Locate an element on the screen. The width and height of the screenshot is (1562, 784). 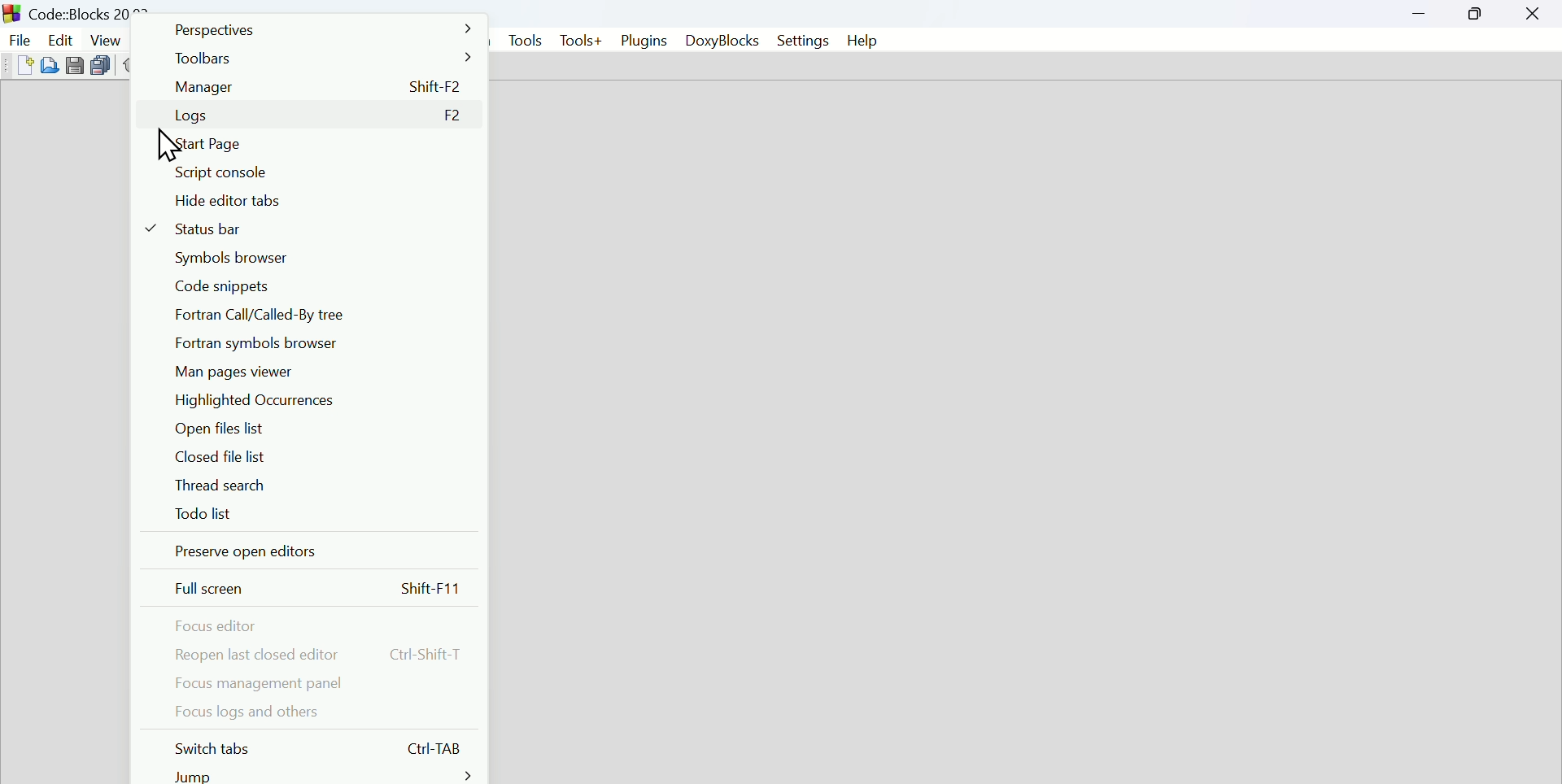
Full screen is located at coordinates (325, 588).